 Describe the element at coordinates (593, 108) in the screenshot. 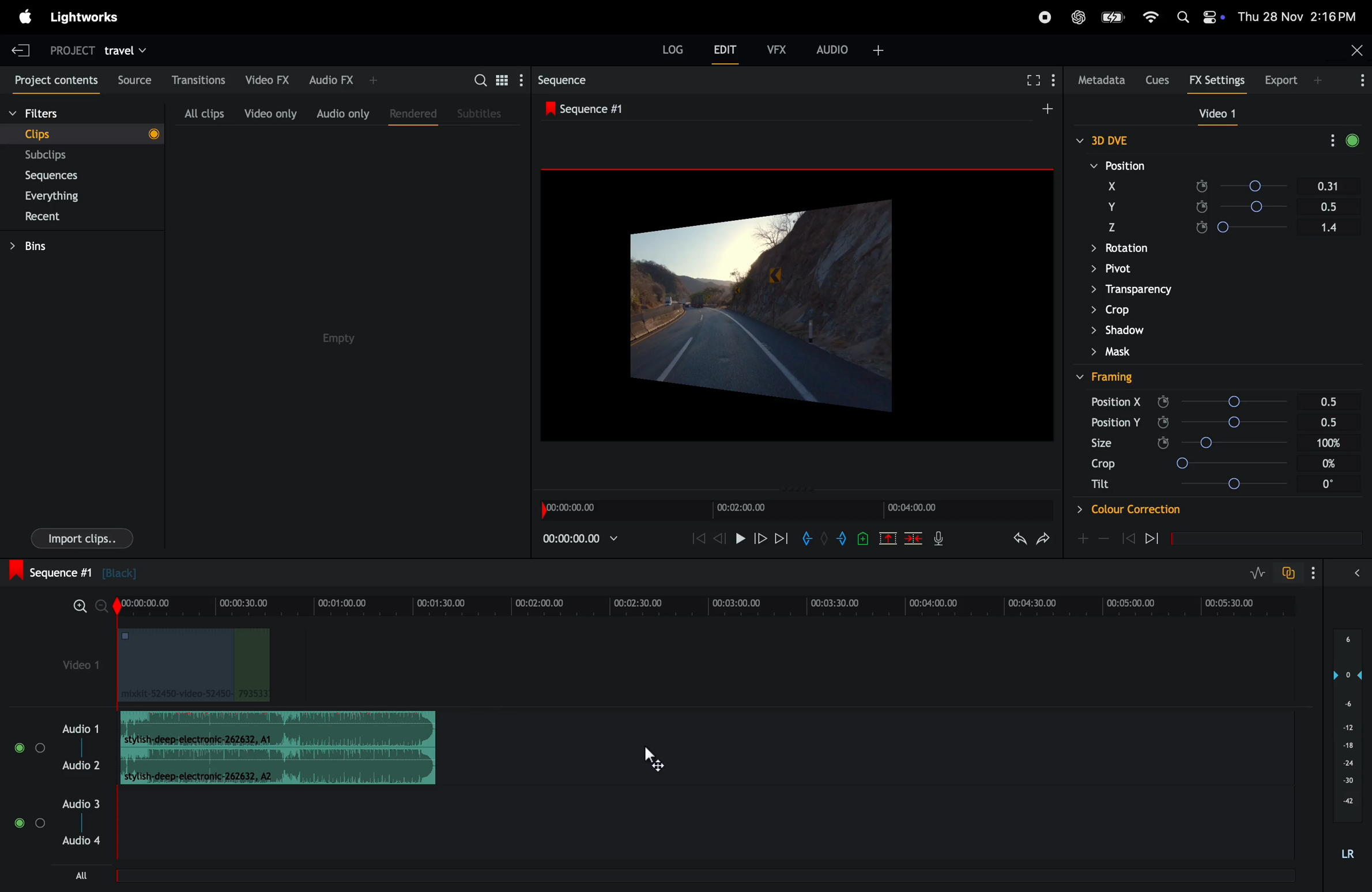

I see `sequence` at that location.